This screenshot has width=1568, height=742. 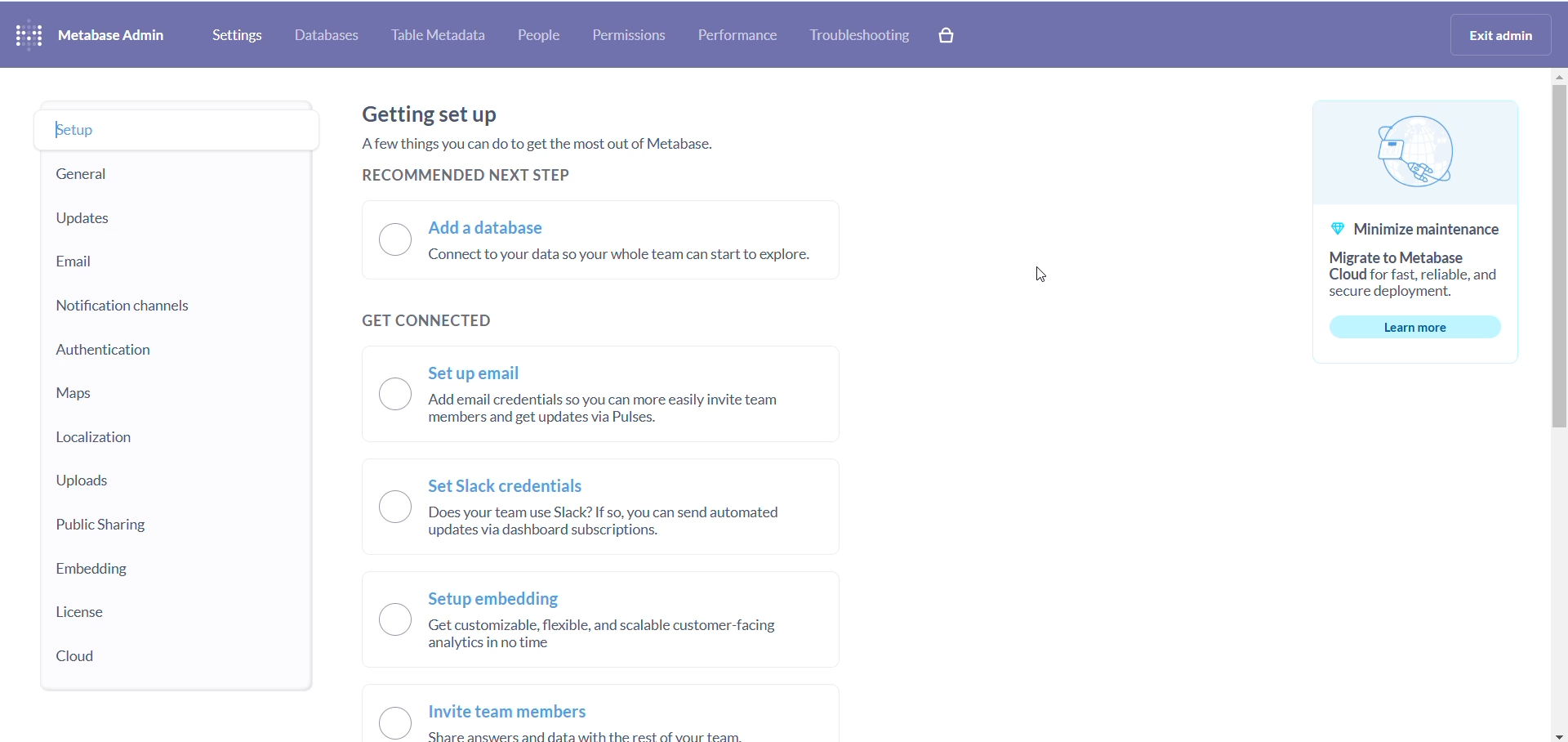 What do you see at coordinates (29, 38) in the screenshot?
I see `metabase logo` at bounding box center [29, 38].